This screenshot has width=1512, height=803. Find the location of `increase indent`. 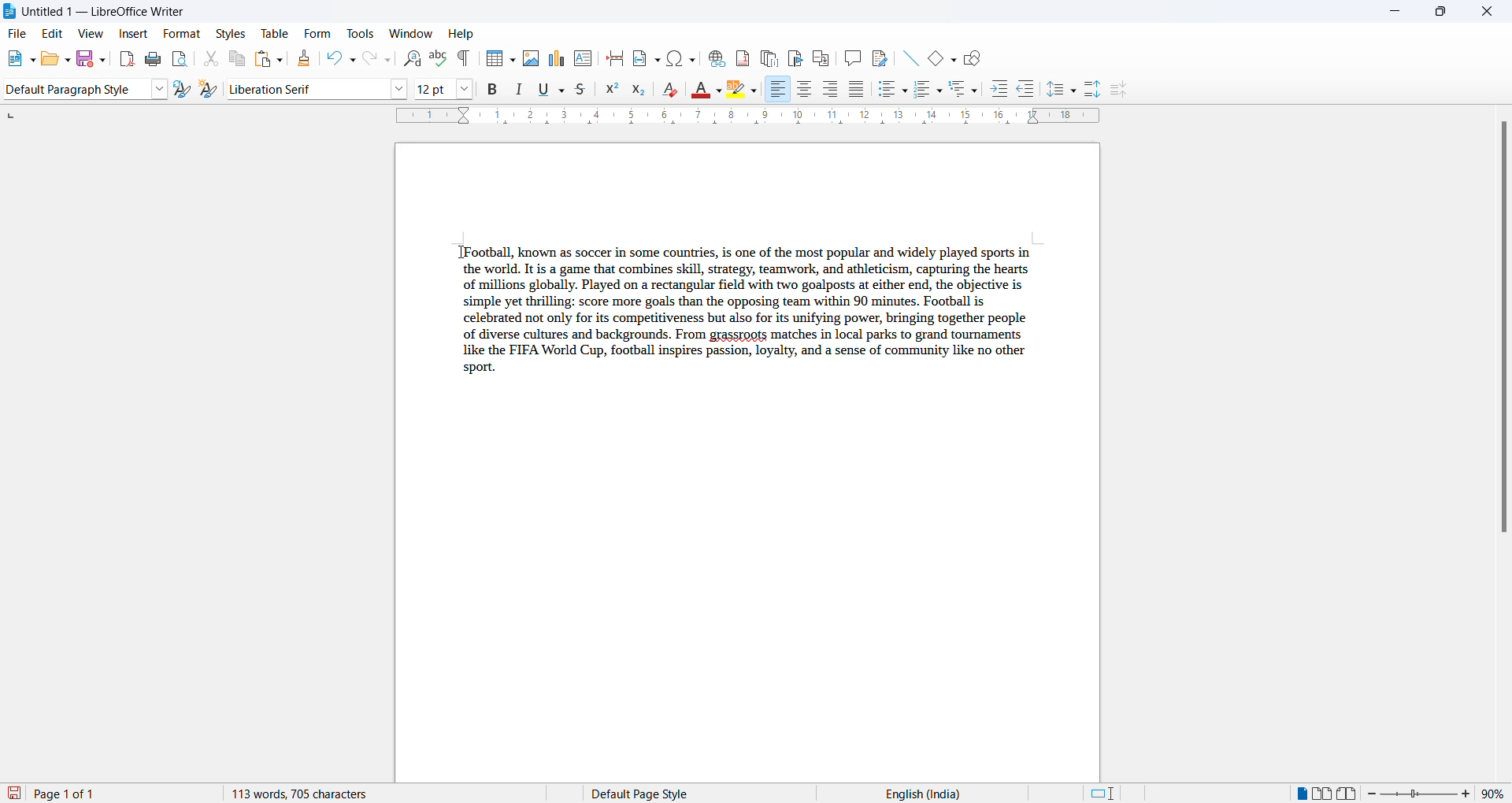

increase indent is located at coordinates (999, 88).